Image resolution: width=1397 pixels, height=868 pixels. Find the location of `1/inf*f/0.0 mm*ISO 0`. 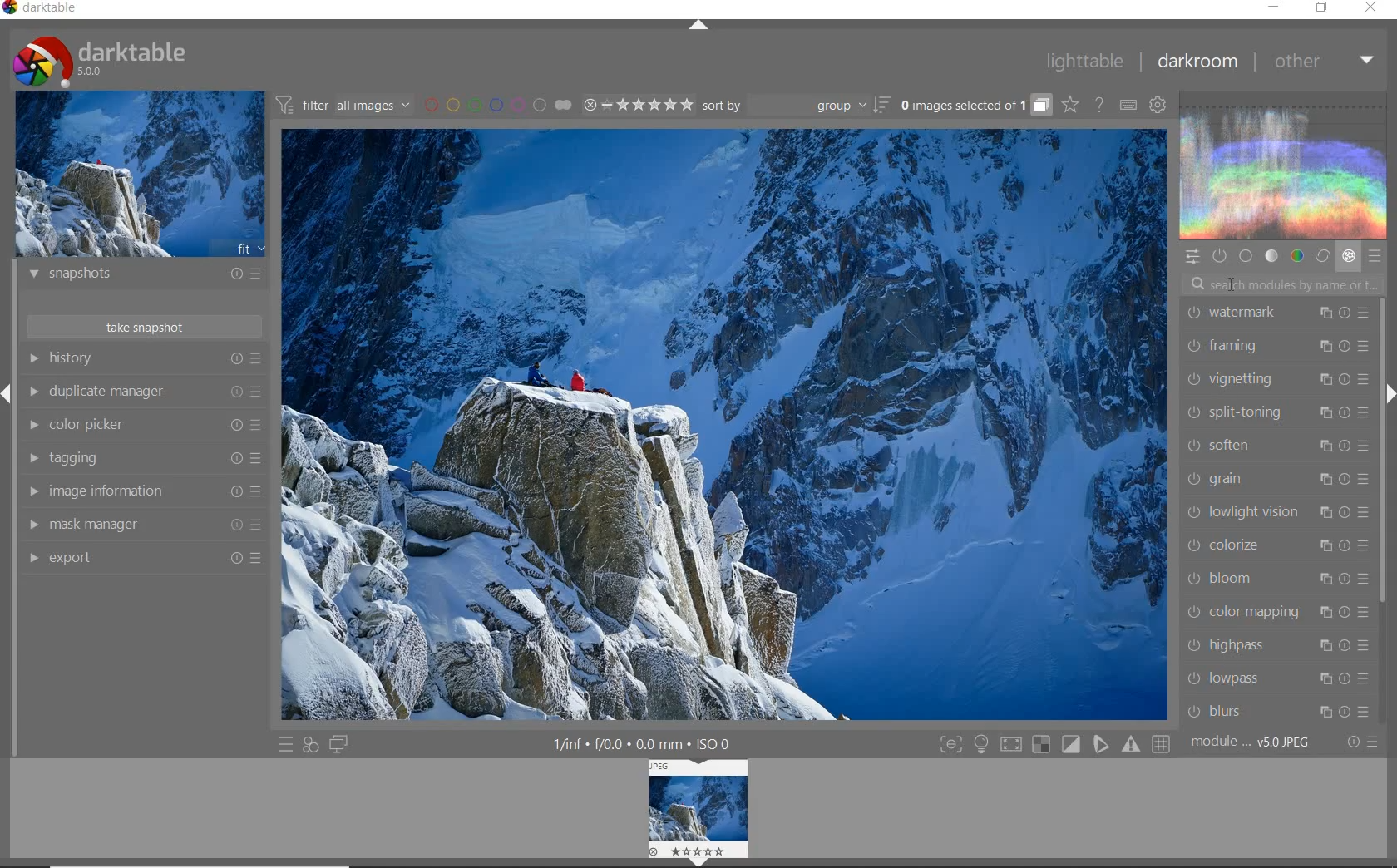

1/inf*f/0.0 mm*ISO 0 is located at coordinates (648, 743).